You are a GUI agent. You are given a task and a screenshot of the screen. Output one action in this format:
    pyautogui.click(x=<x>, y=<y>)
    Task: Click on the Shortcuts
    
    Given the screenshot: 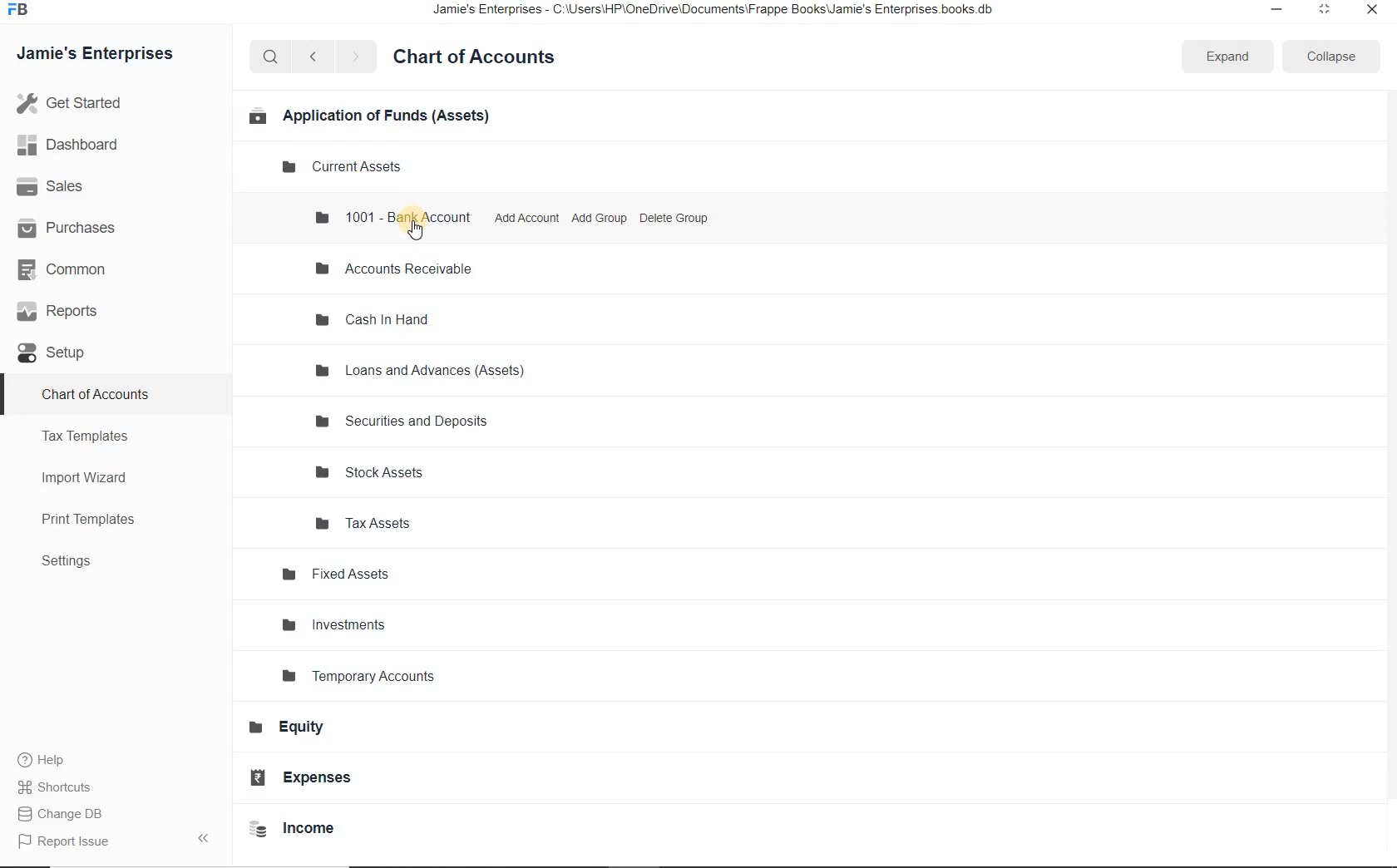 What is the action you would take?
    pyautogui.click(x=57, y=787)
    